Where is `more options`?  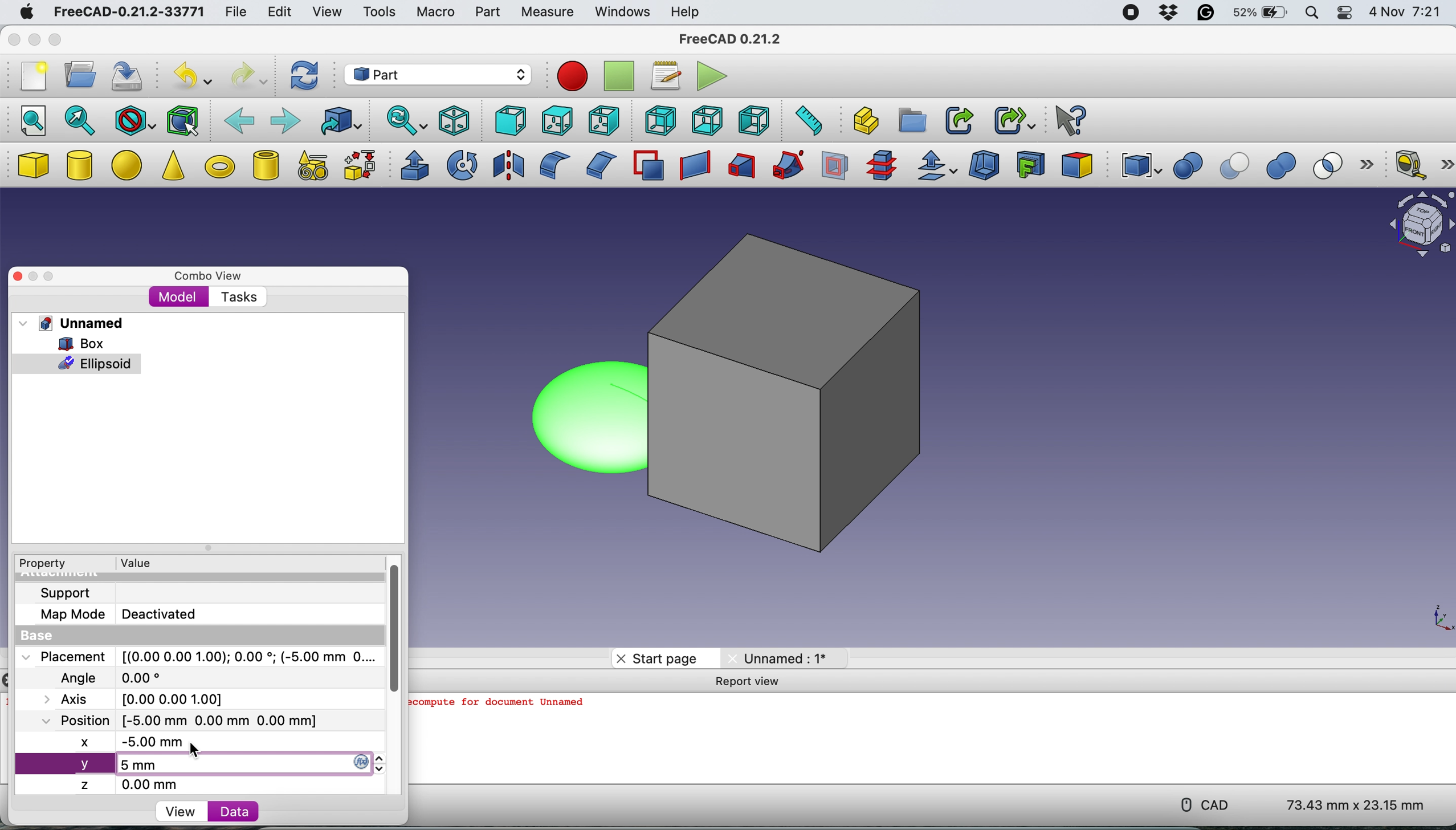 more options is located at coordinates (1371, 166).